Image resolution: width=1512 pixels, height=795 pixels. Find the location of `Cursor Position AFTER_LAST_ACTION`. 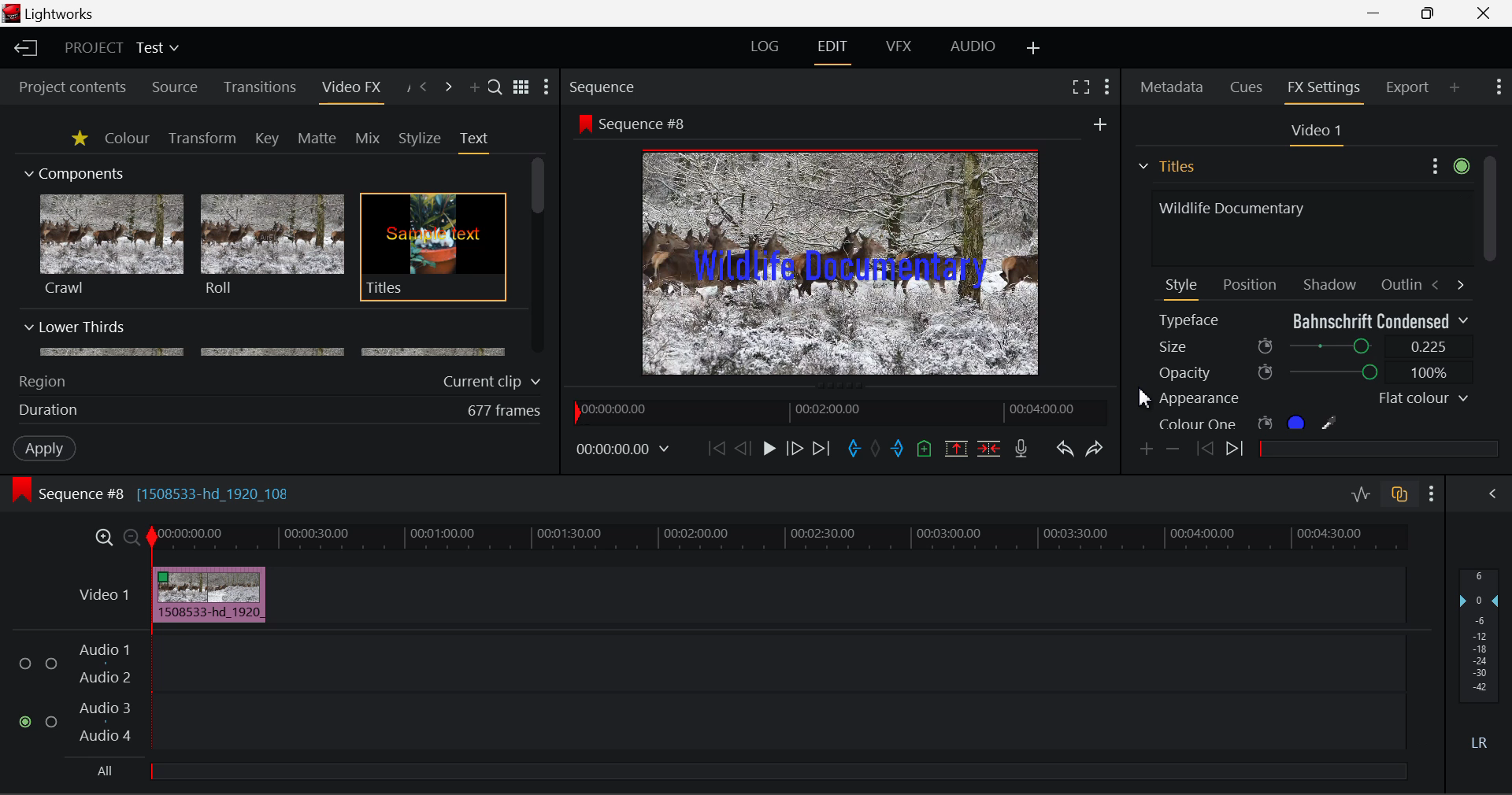

Cursor Position AFTER_LAST_ACTION is located at coordinates (1143, 398).